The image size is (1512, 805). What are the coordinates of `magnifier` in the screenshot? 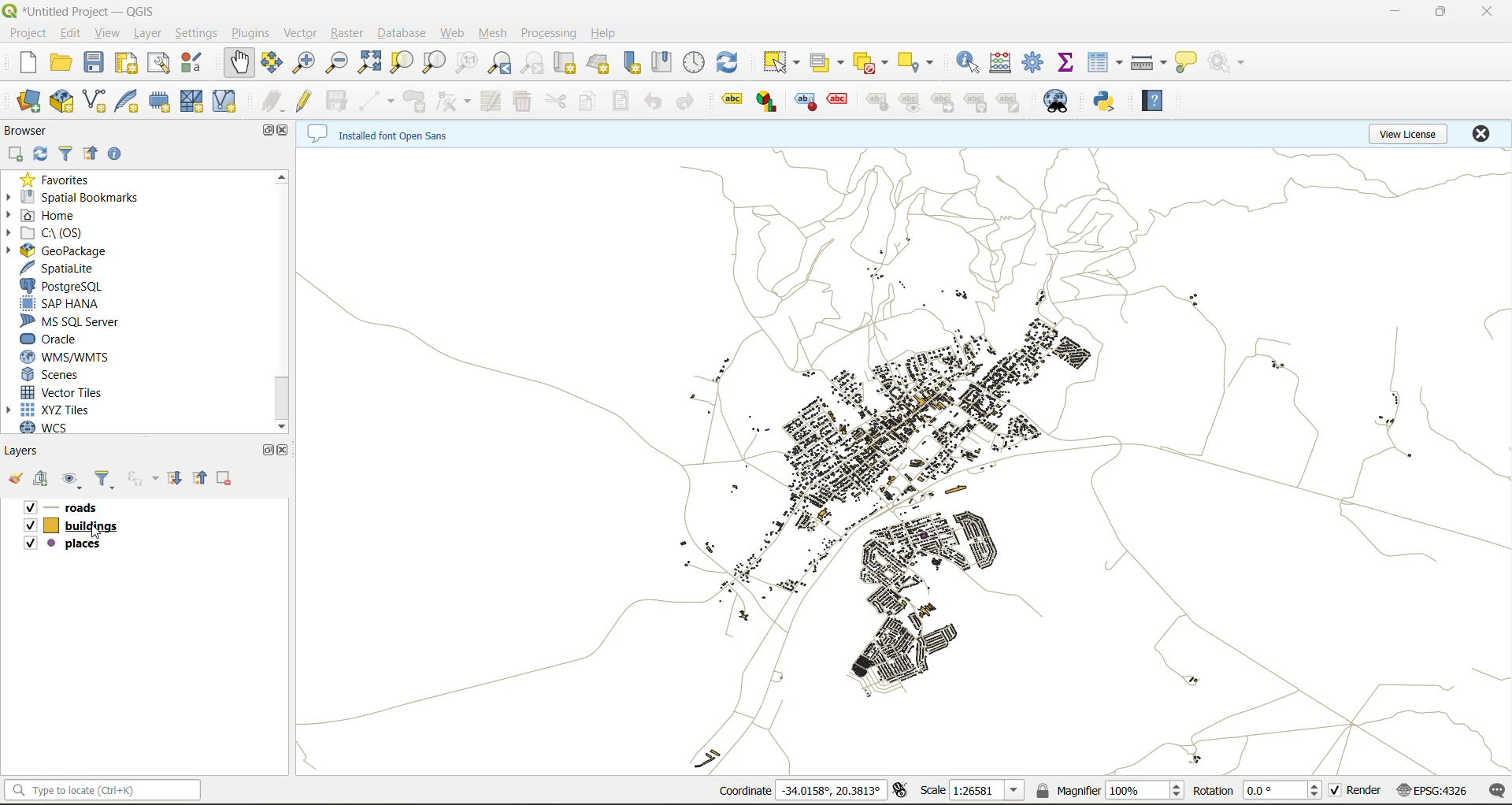 It's located at (1110, 793).